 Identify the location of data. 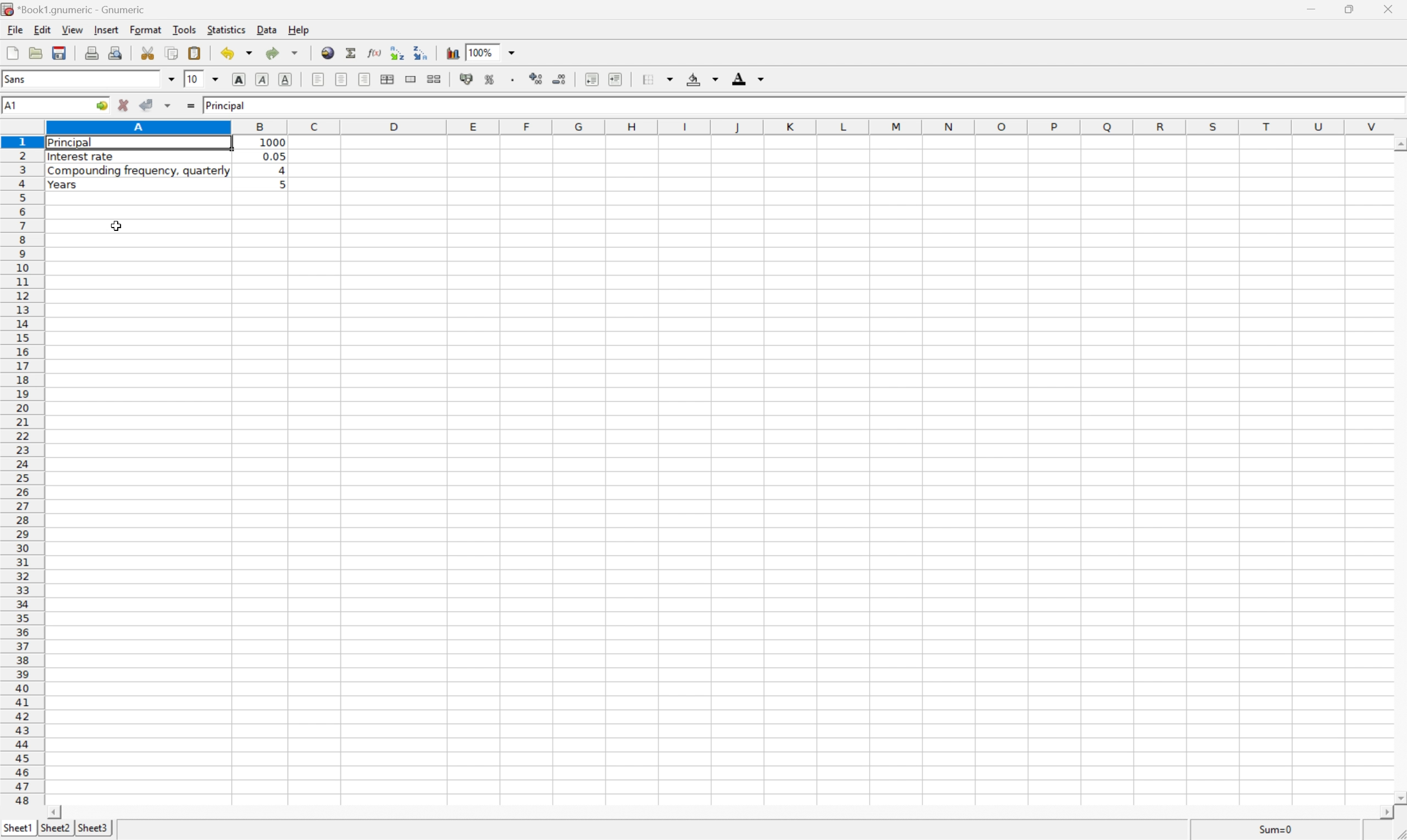
(266, 31).